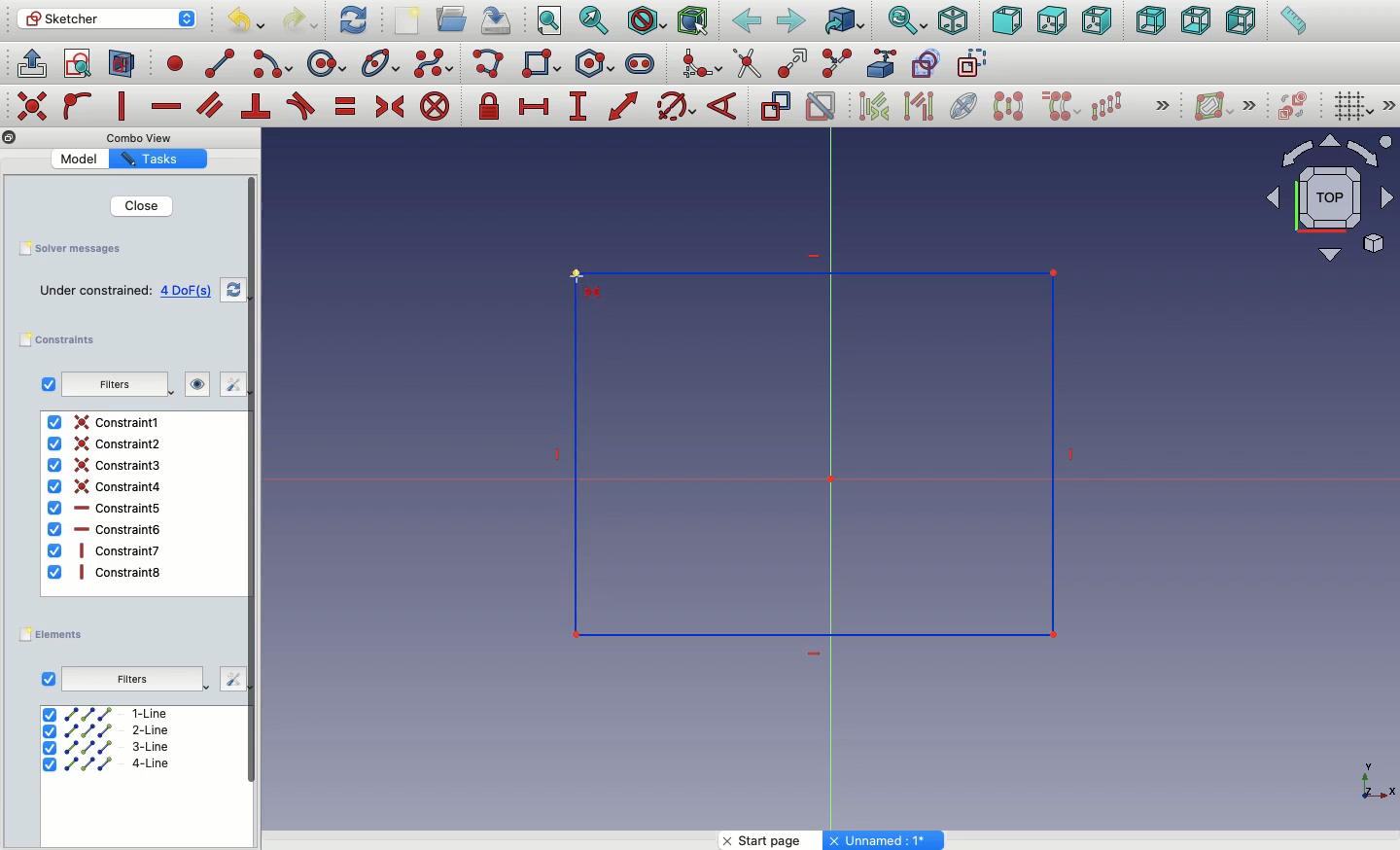  What do you see at coordinates (233, 290) in the screenshot?
I see `refresh` at bounding box center [233, 290].